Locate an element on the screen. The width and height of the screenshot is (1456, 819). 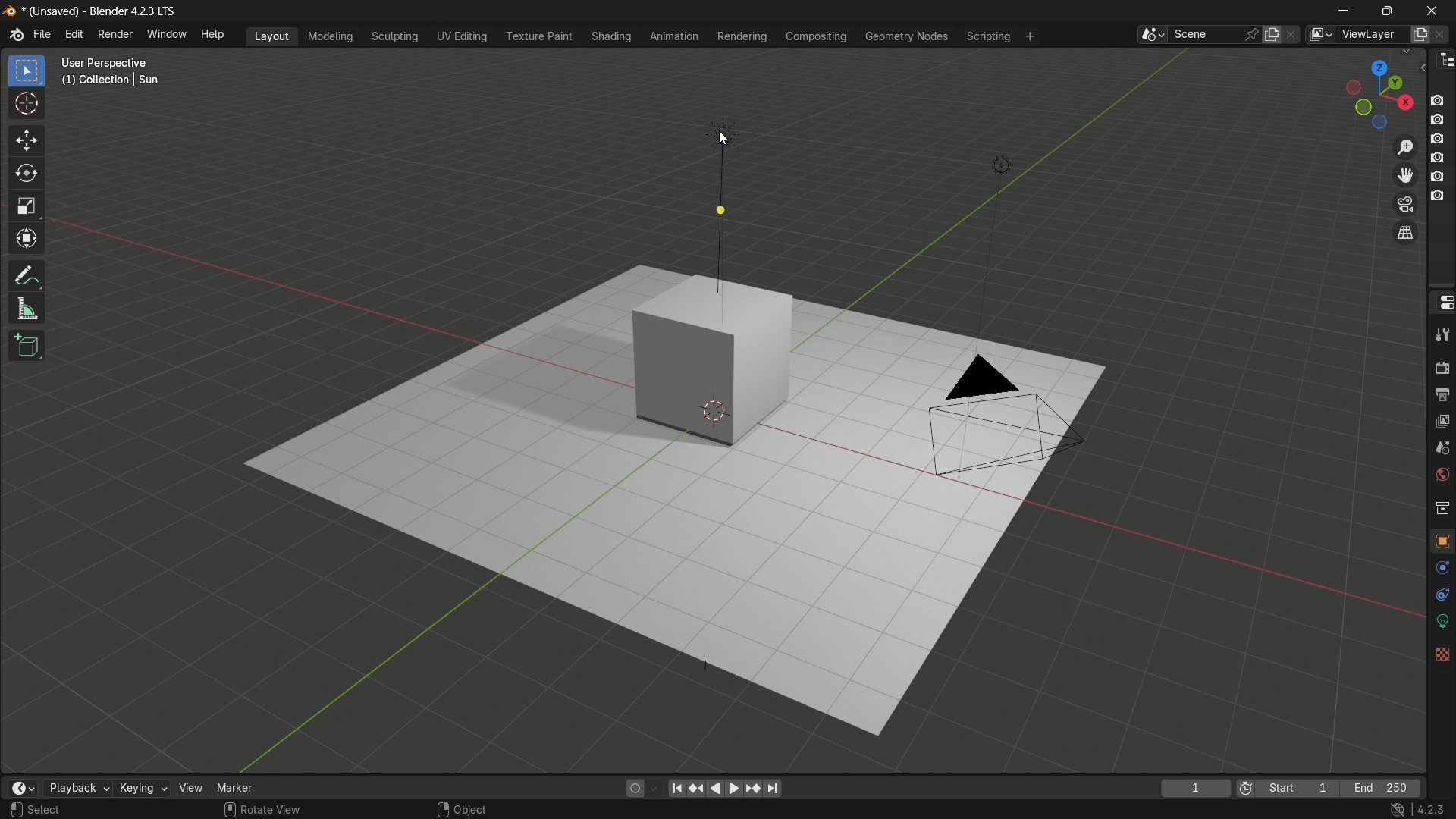
keying is located at coordinates (139, 787).